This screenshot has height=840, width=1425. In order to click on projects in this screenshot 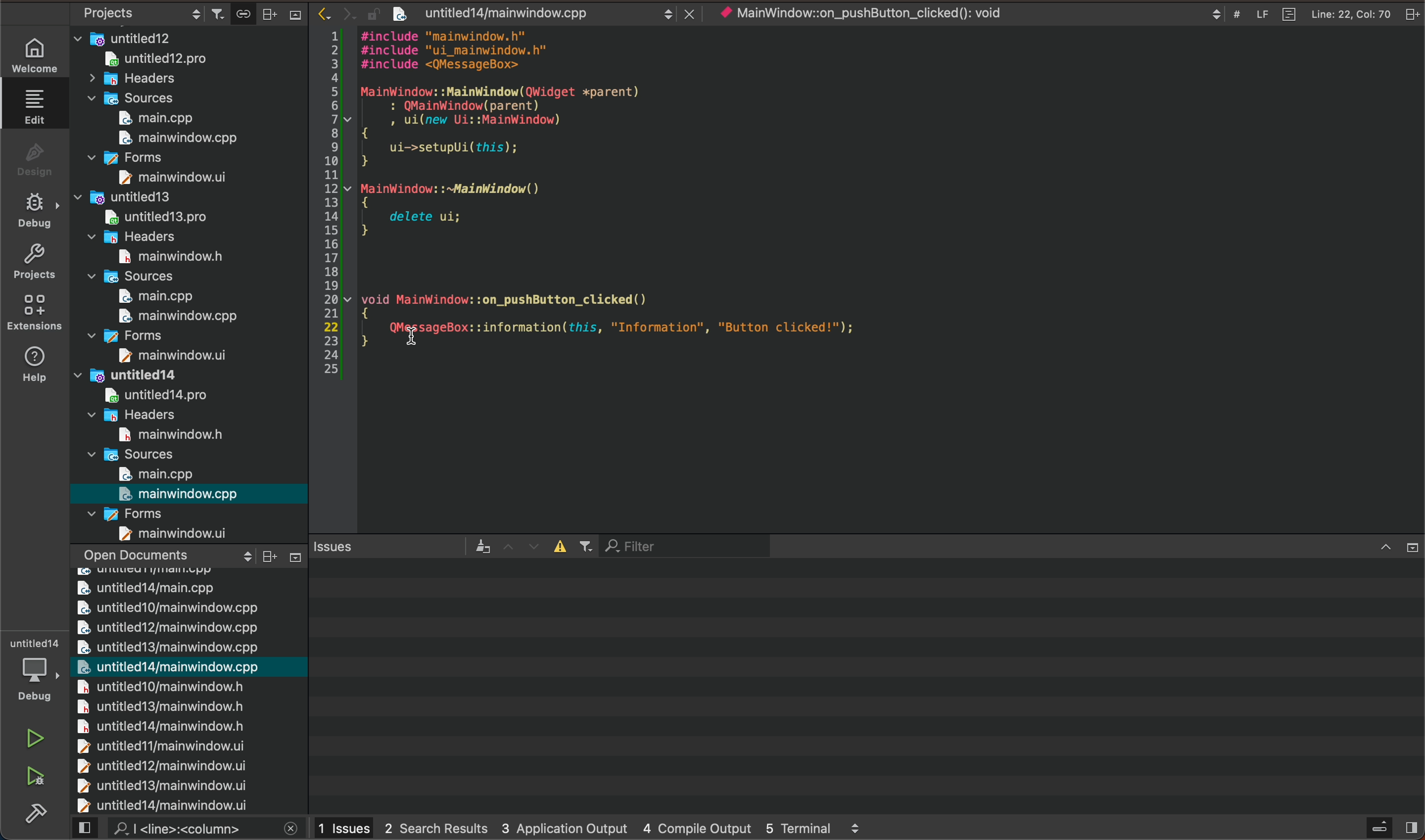, I will do `click(33, 260)`.